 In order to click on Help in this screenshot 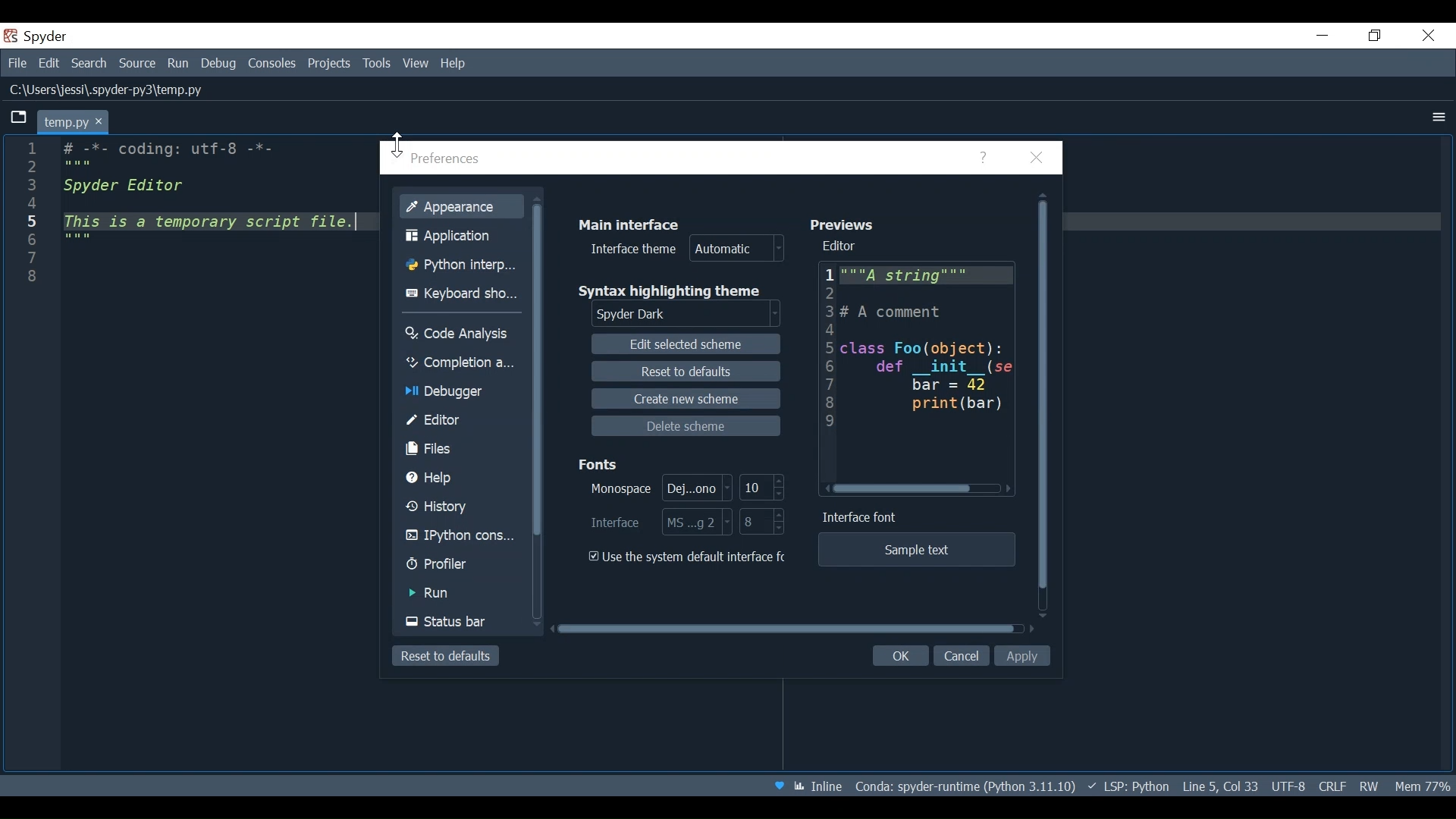, I will do `click(986, 158)`.